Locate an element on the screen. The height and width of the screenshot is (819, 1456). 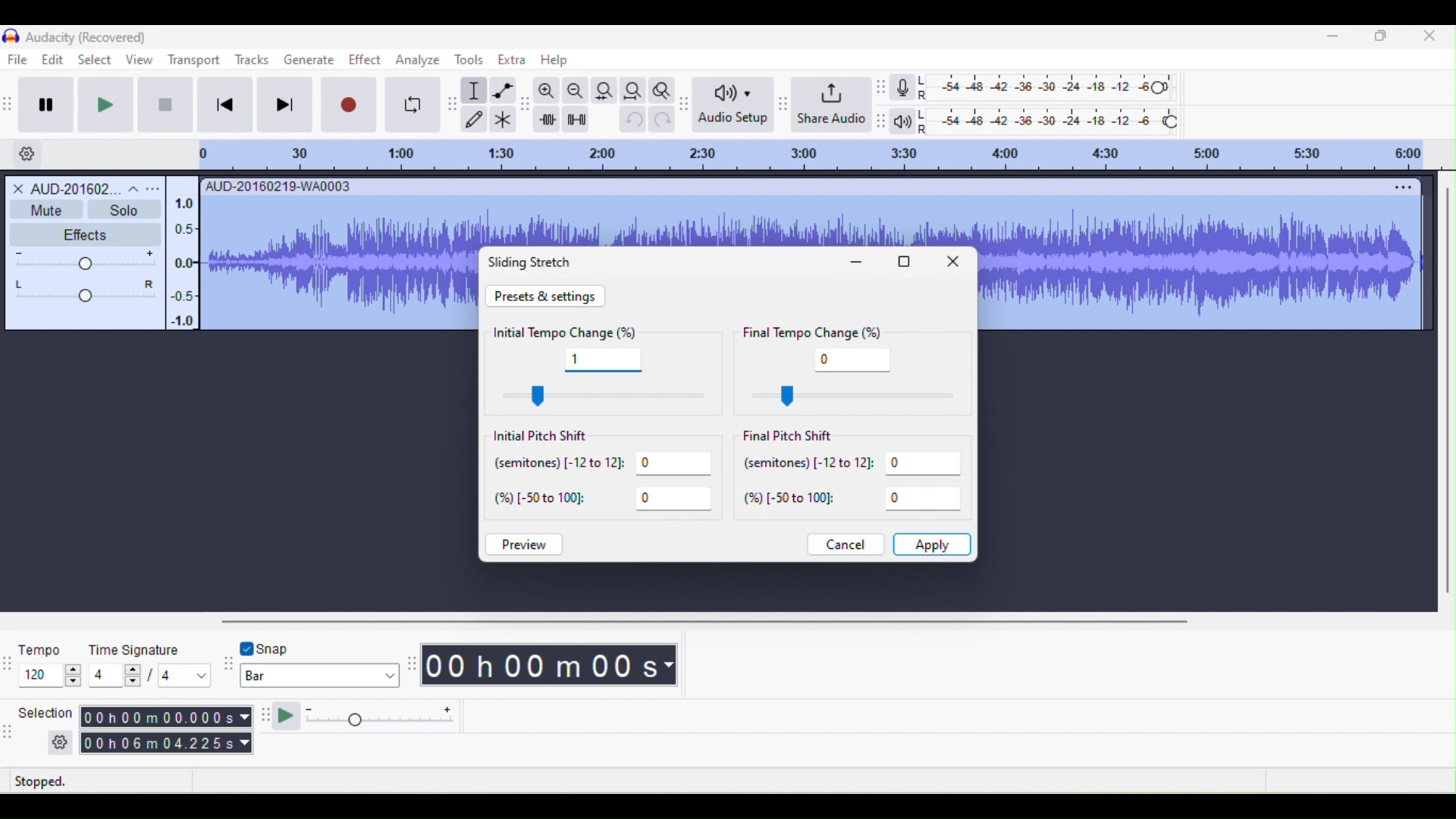
control initial tempo change is located at coordinates (606, 396).